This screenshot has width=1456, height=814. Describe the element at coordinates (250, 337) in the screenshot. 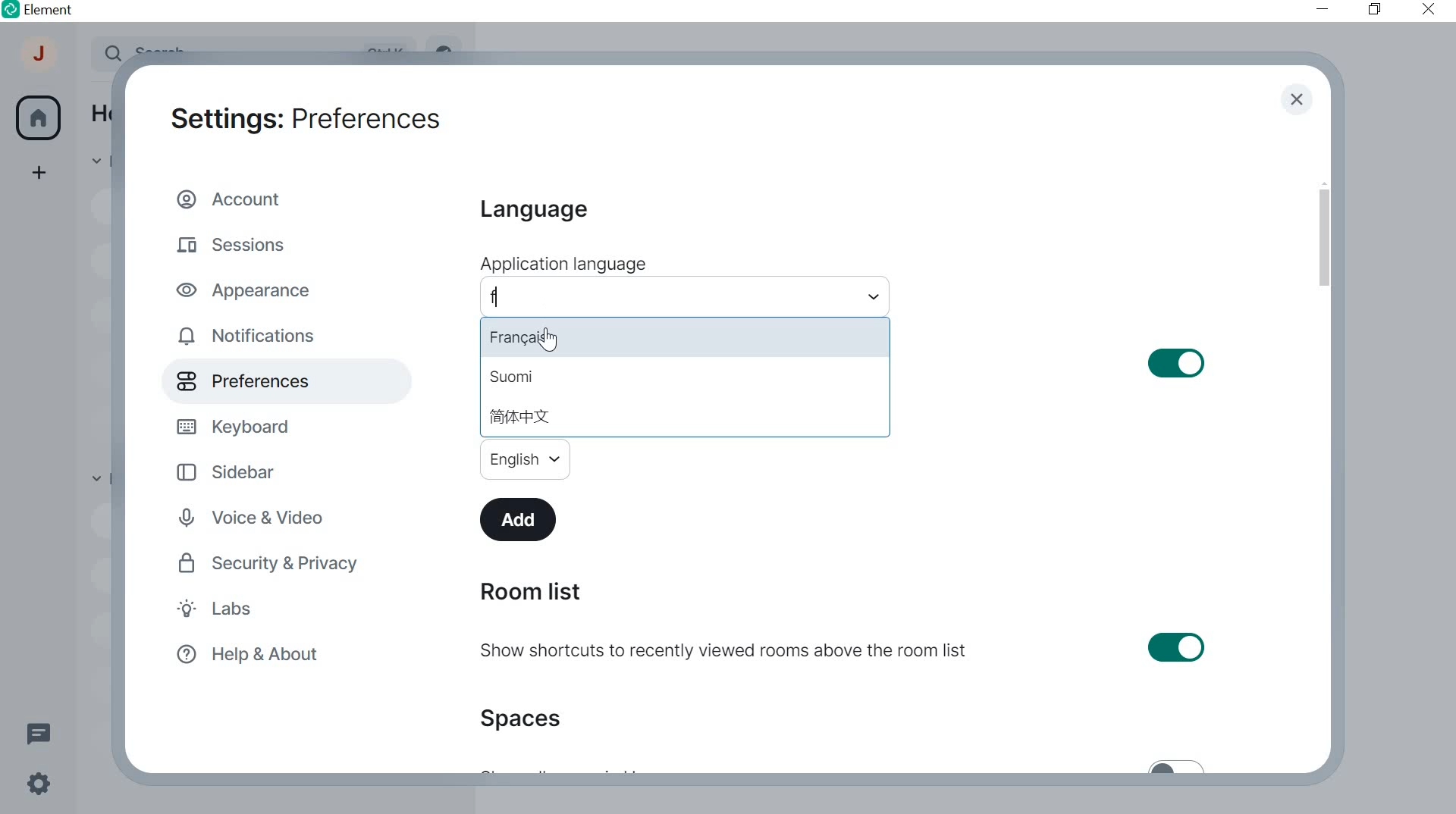

I see `NOTIFICATIONS` at that location.